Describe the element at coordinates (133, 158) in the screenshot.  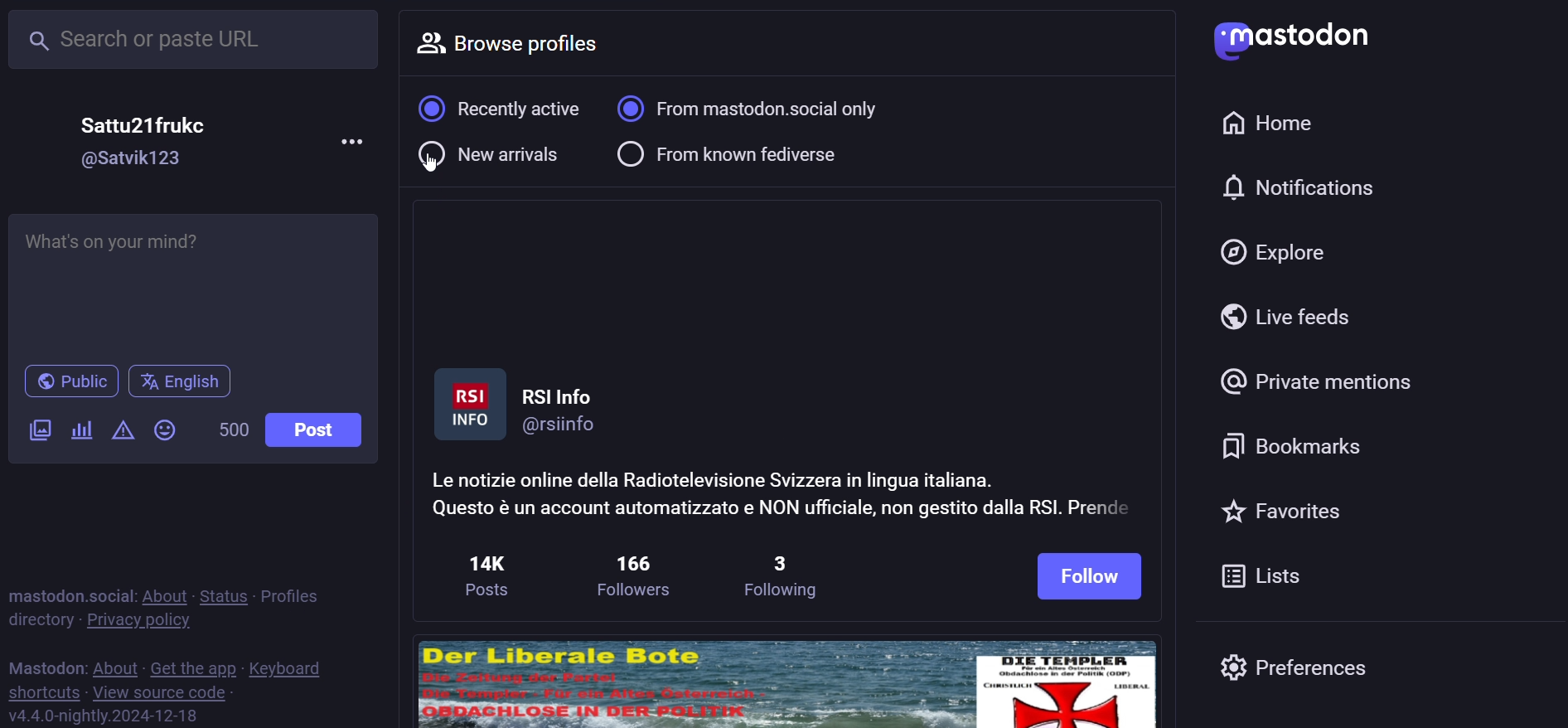
I see `@Satvik123` at that location.